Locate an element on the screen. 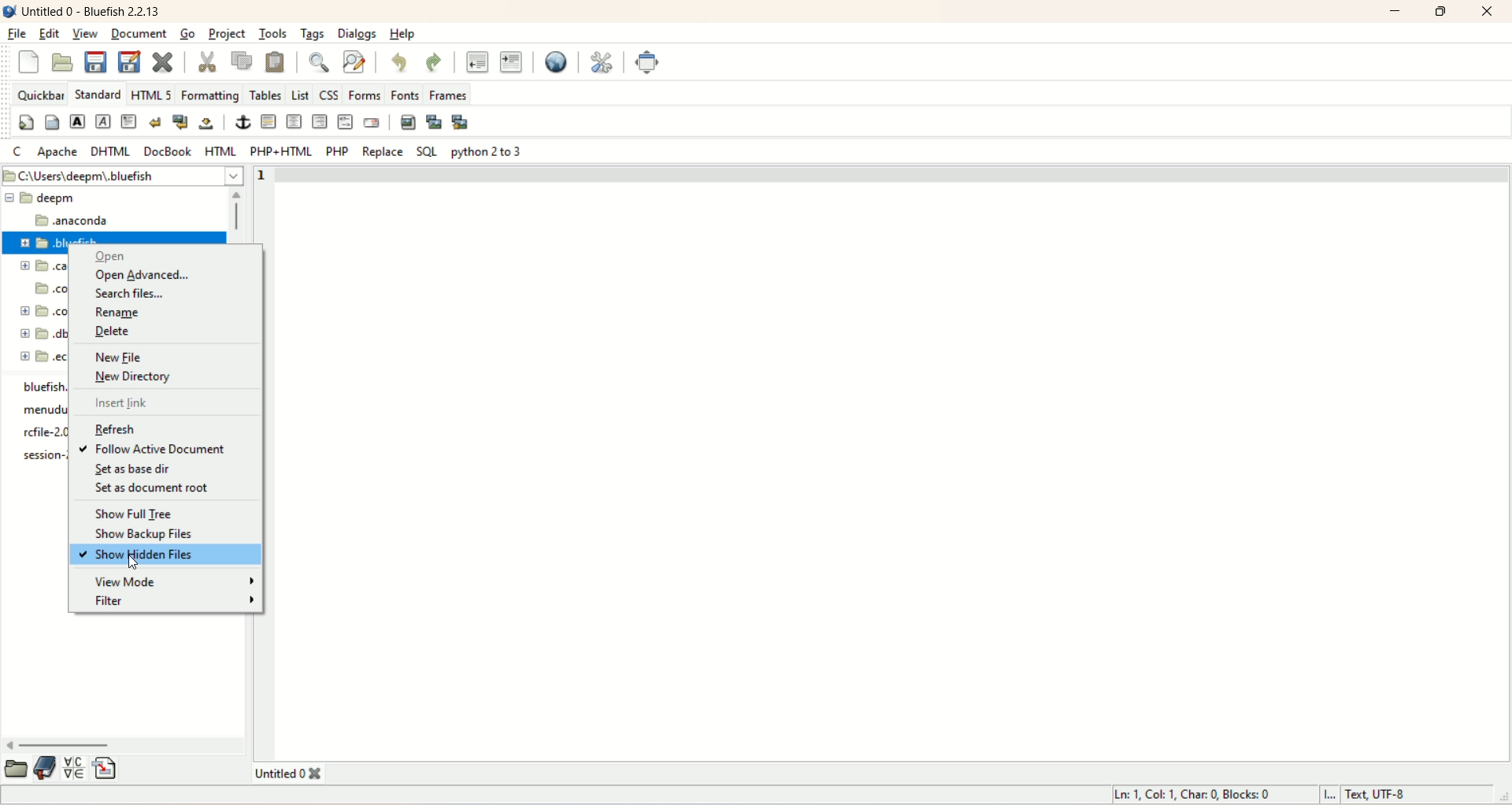  show backup files is located at coordinates (148, 534).